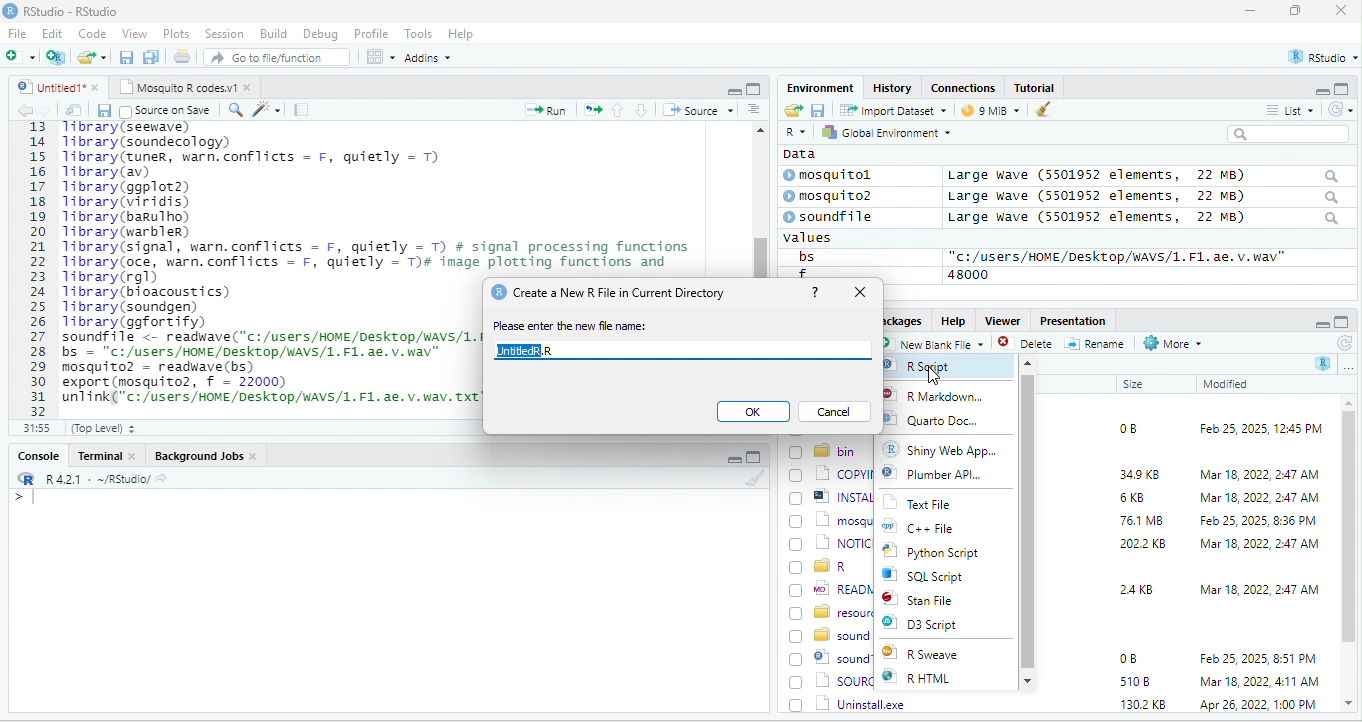 The width and height of the screenshot is (1362, 722). I want to click on (7) 1 NOTICE, so click(832, 544).